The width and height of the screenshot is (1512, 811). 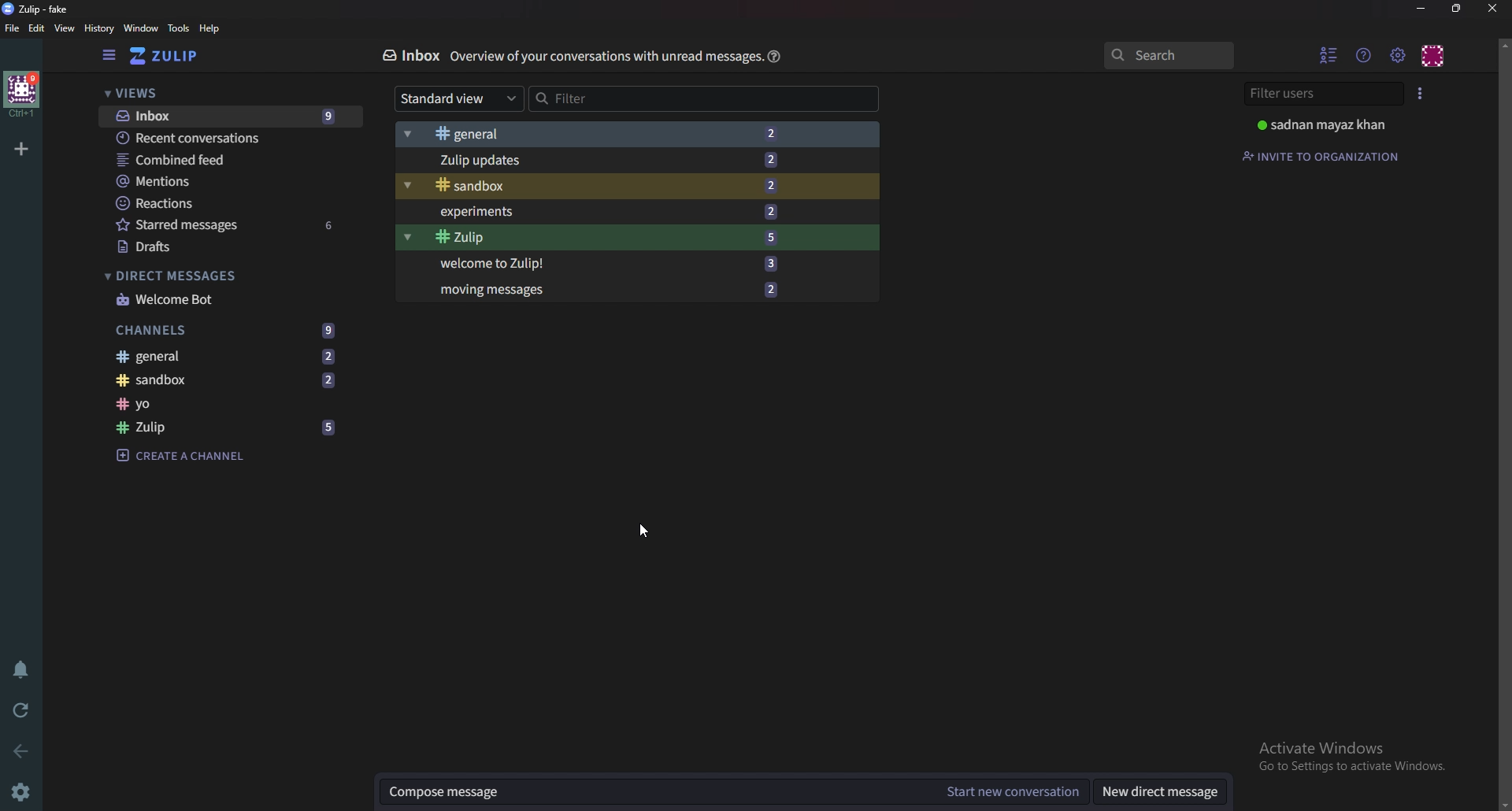 I want to click on Drafts, so click(x=213, y=248).